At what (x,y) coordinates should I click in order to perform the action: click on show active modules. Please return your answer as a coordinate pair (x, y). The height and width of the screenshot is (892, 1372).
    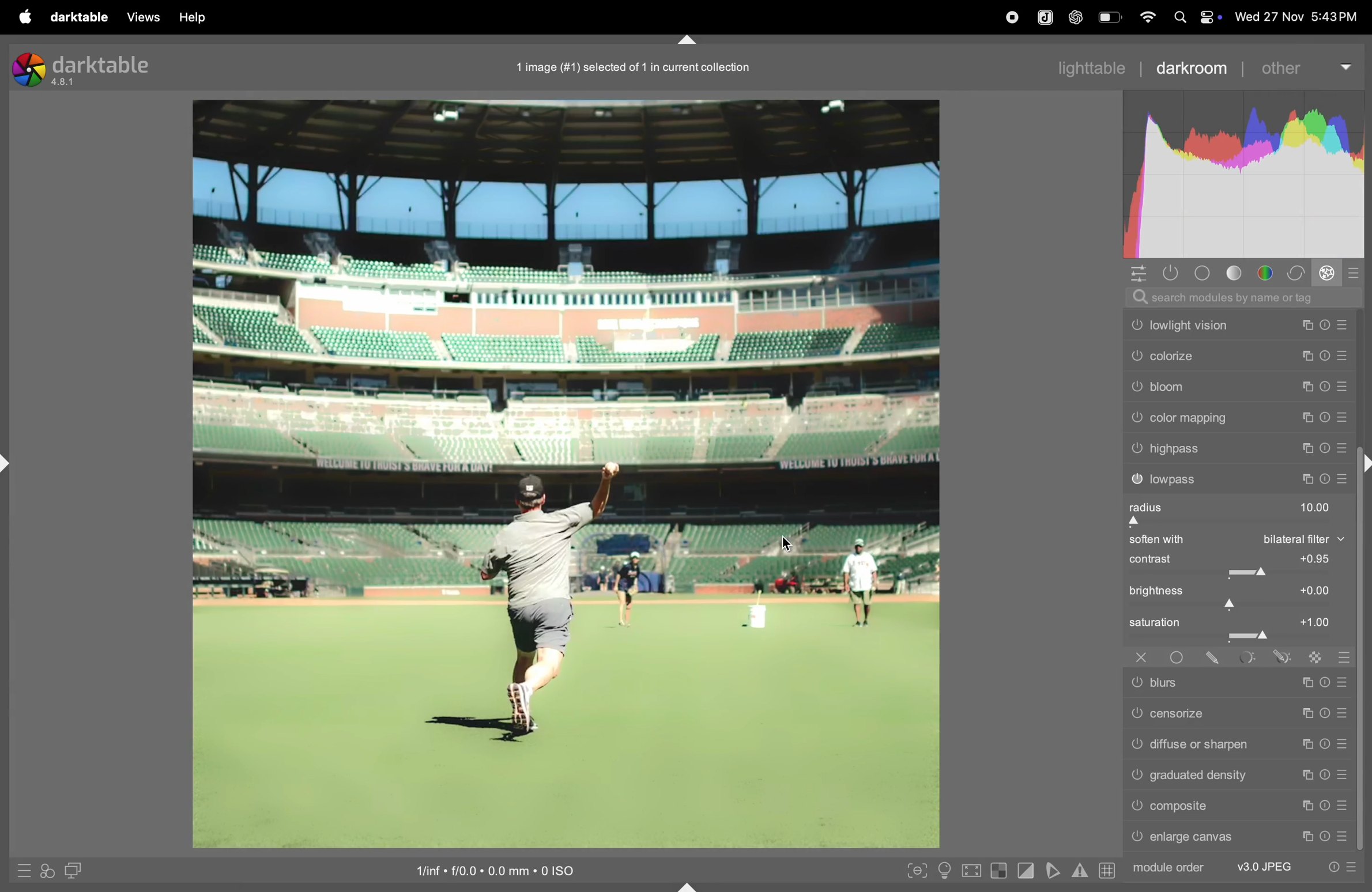
    Looking at the image, I should click on (1168, 273).